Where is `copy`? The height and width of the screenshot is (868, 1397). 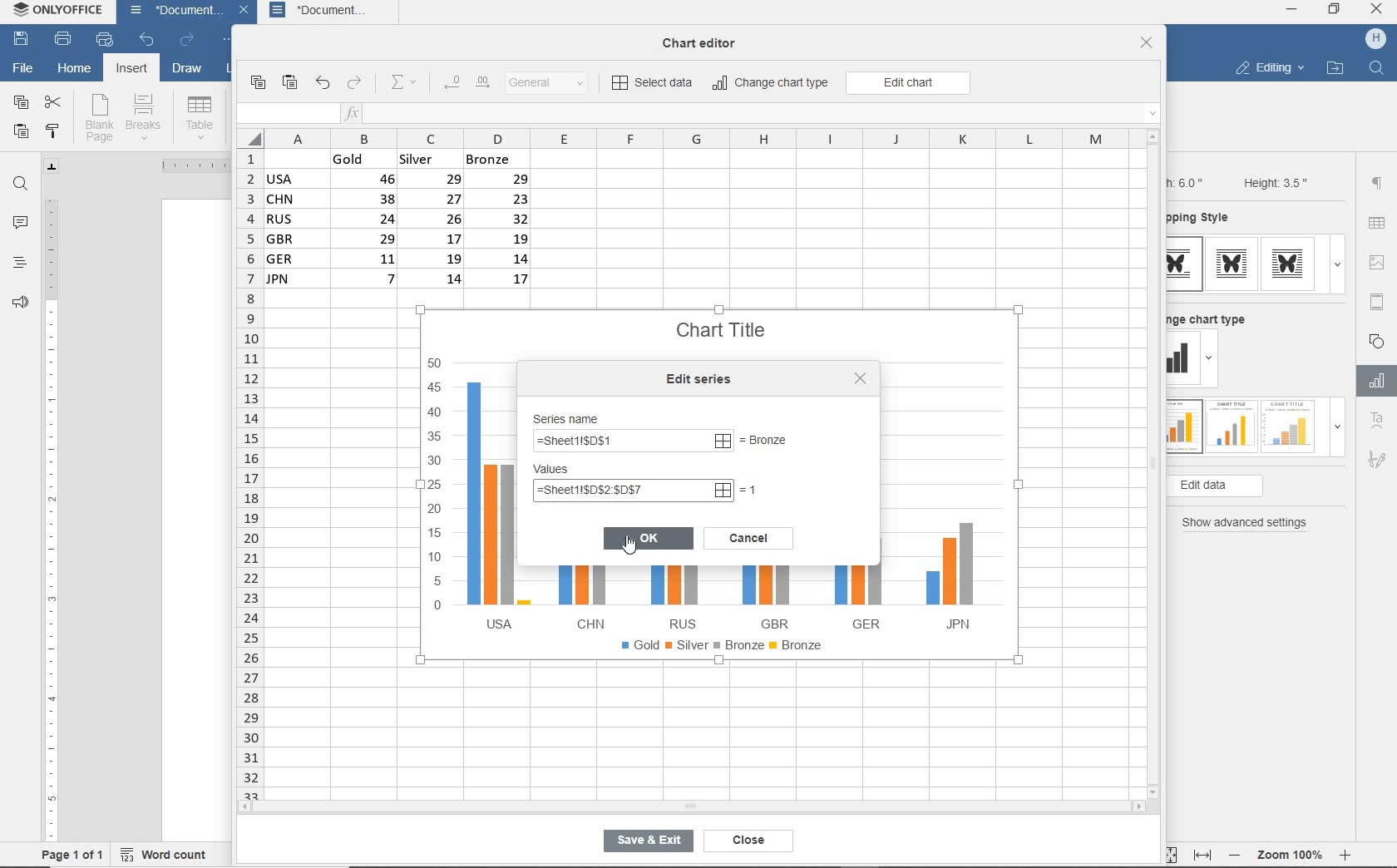
copy is located at coordinates (20, 103).